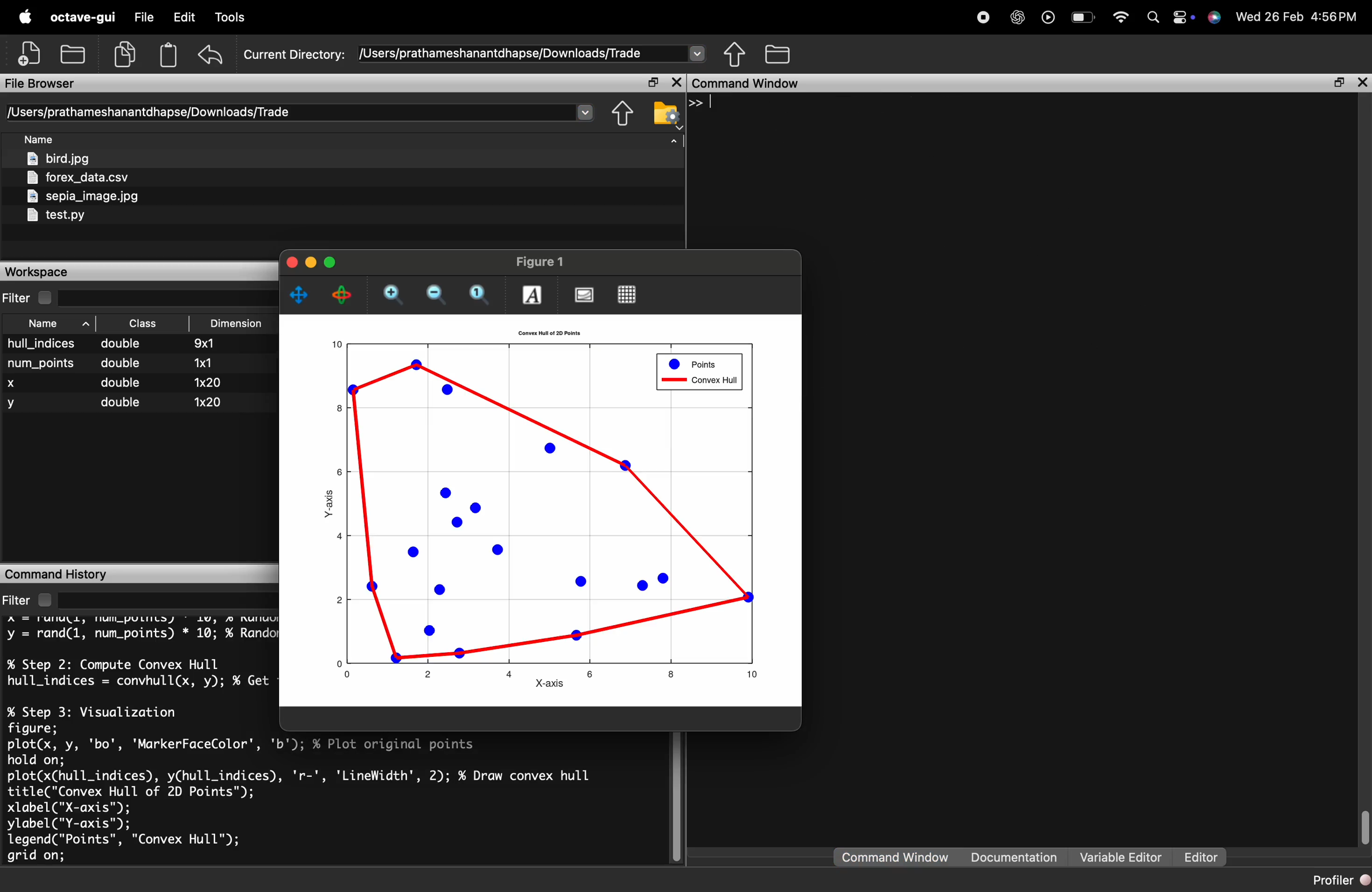 This screenshot has width=1372, height=892. Describe the element at coordinates (1154, 18) in the screenshot. I see `search` at that location.